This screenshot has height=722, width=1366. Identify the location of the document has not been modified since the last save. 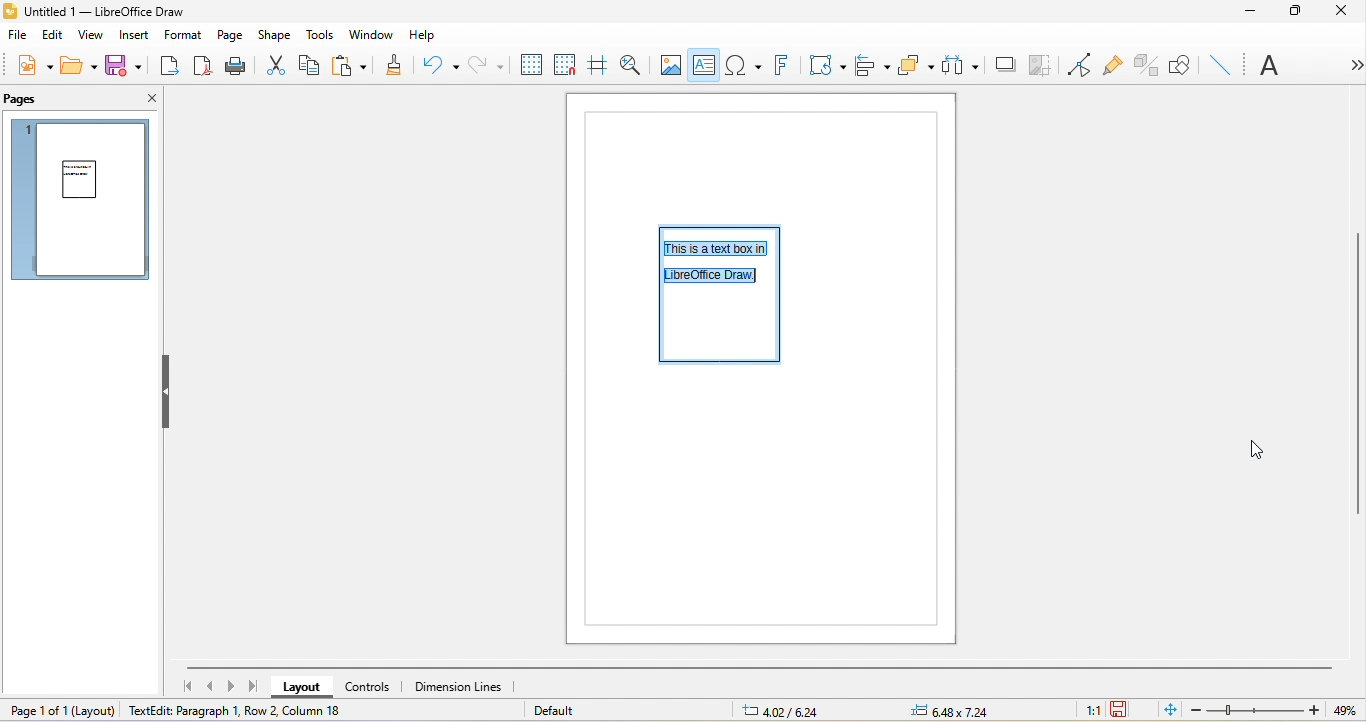
(1125, 711).